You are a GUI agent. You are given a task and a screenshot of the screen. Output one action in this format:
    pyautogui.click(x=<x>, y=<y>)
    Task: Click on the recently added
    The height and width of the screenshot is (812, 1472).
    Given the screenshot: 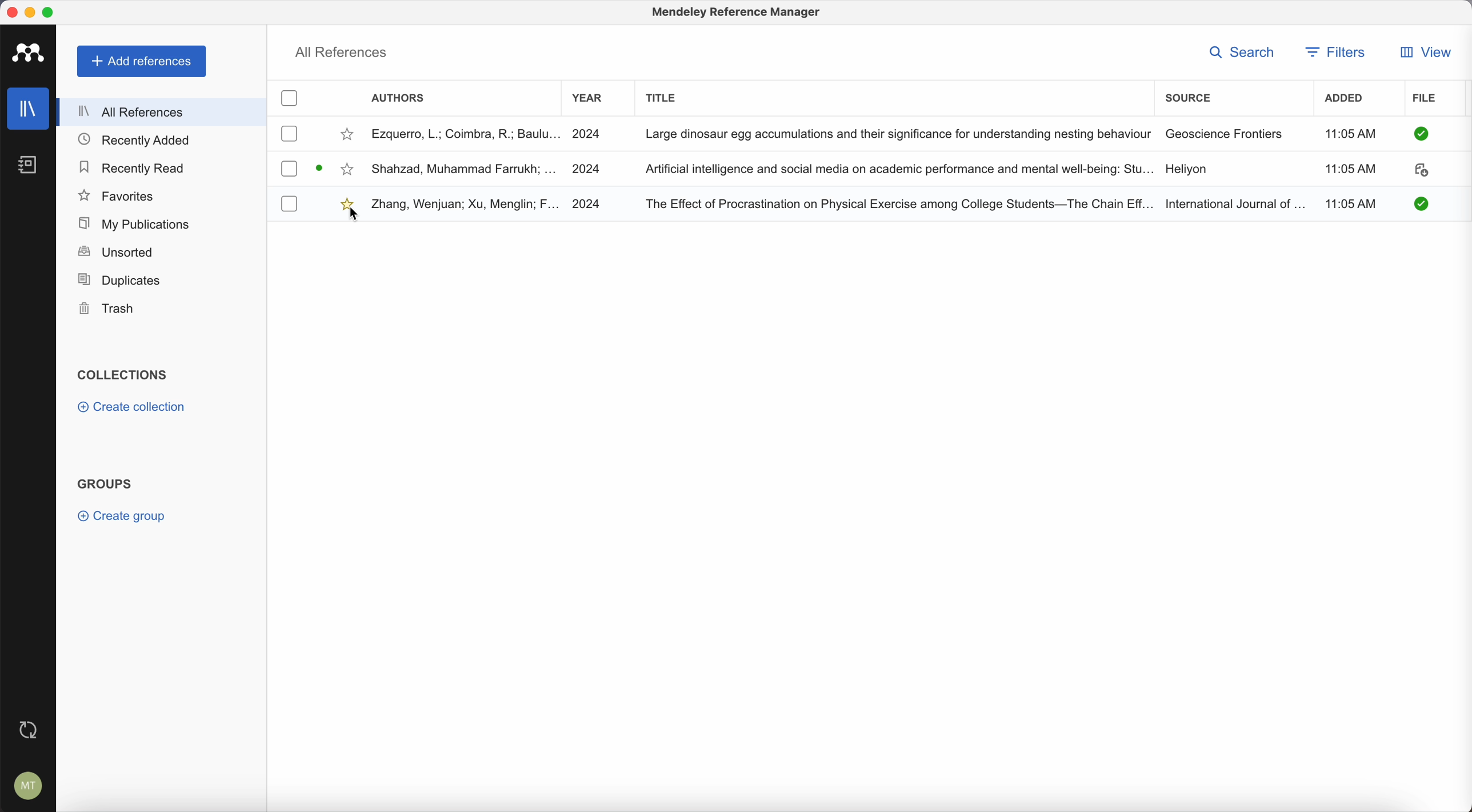 What is the action you would take?
    pyautogui.click(x=139, y=141)
    